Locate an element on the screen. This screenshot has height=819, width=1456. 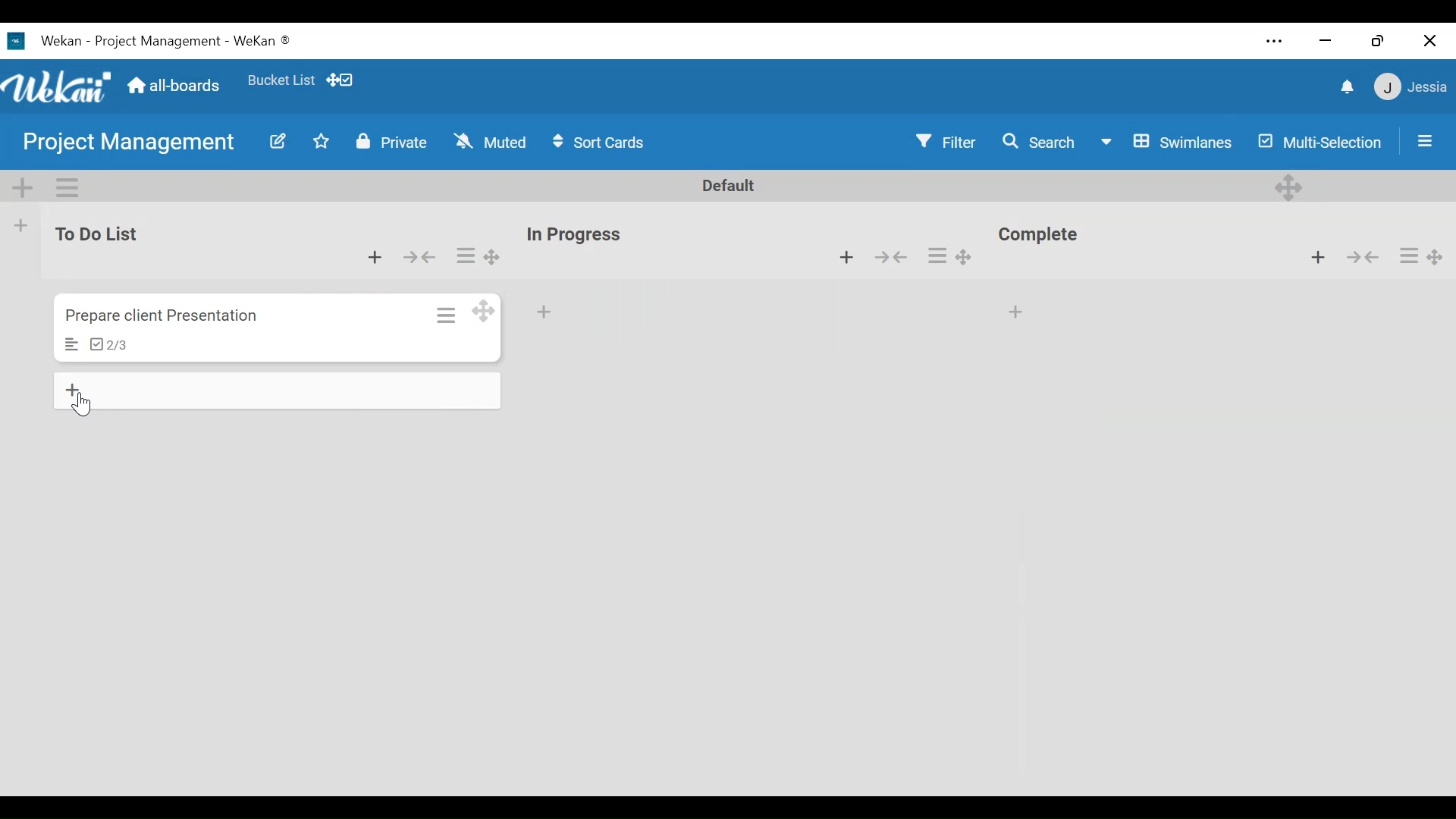
Private is located at coordinates (388, 142).